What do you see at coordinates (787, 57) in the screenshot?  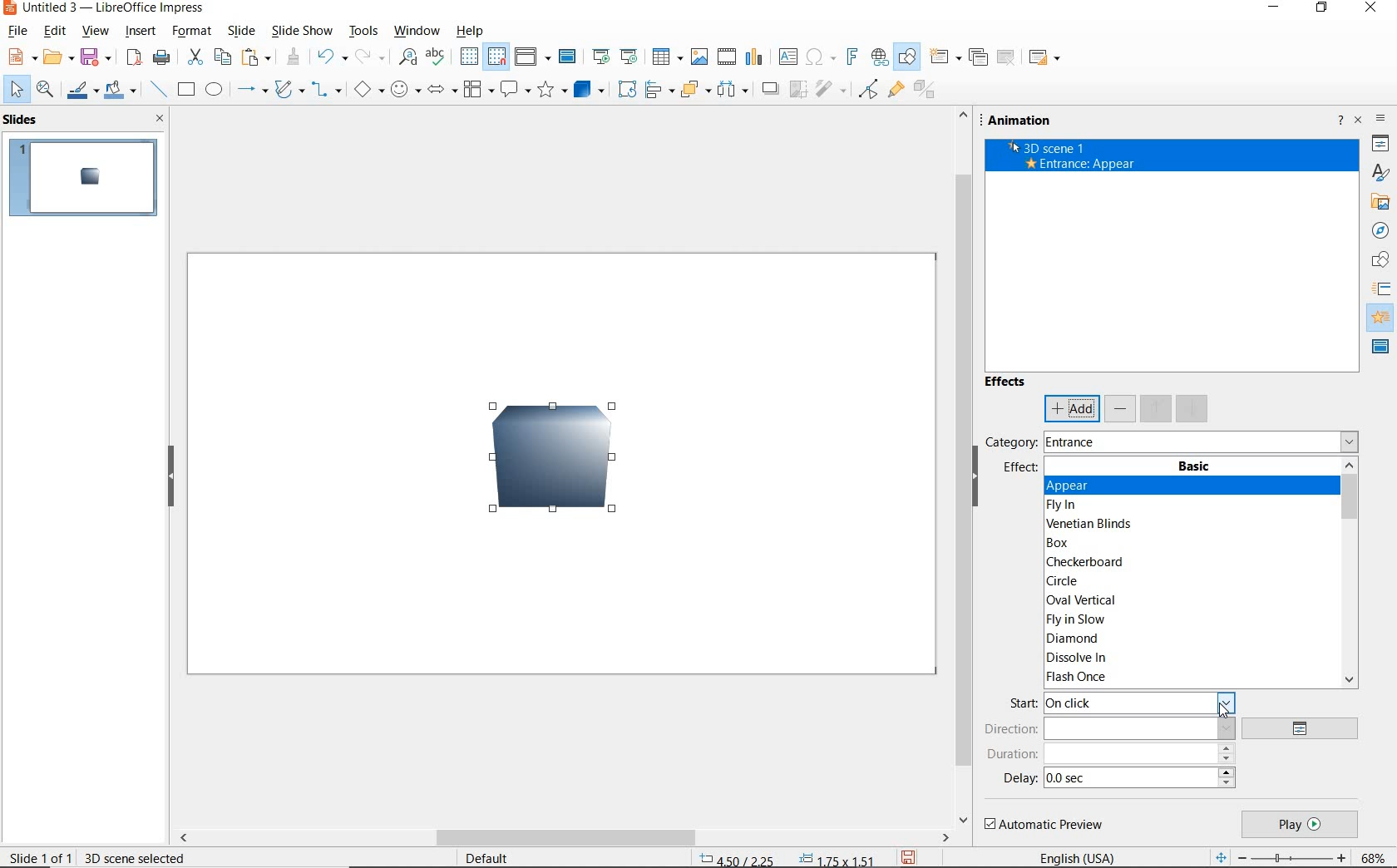 I see `insert text box` at bounding box center [787, 57].